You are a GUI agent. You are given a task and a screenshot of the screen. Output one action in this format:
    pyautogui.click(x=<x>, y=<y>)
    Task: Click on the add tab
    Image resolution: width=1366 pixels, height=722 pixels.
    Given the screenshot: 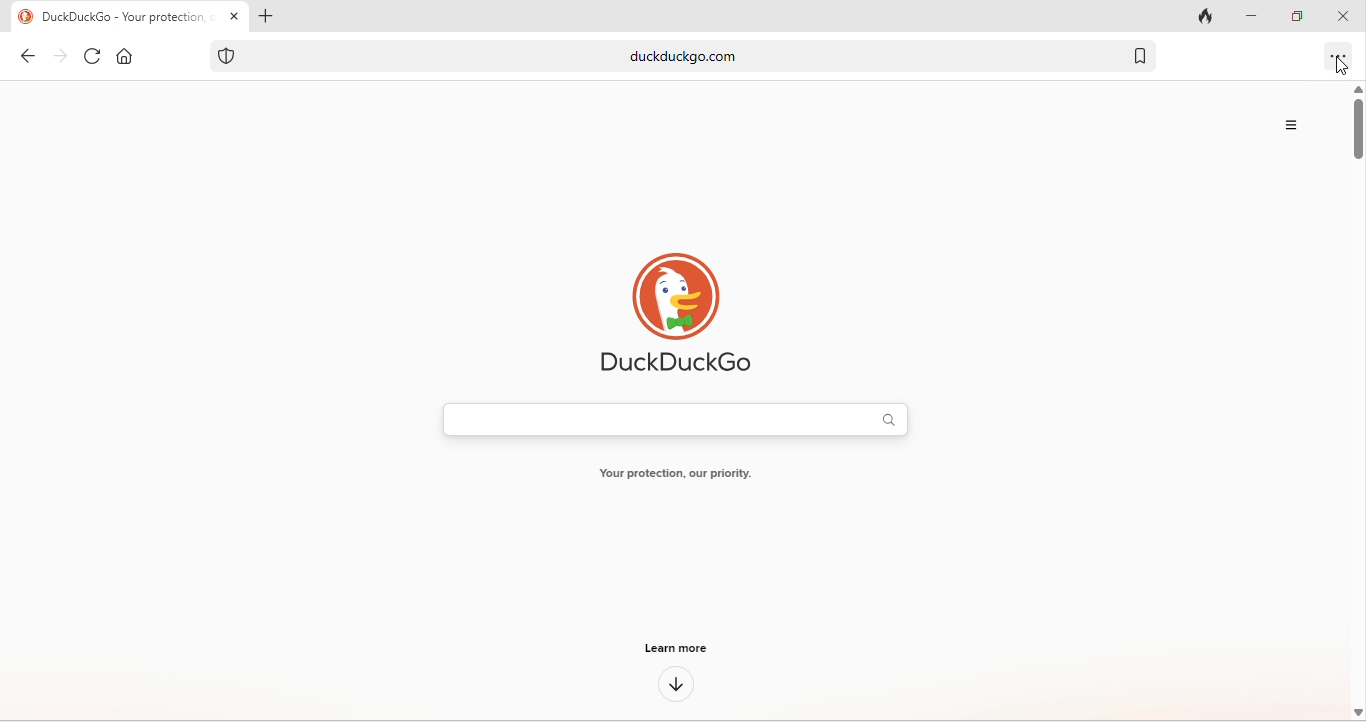 What is the action you would take?
    pyautogui.click(x=270, y=17)
    